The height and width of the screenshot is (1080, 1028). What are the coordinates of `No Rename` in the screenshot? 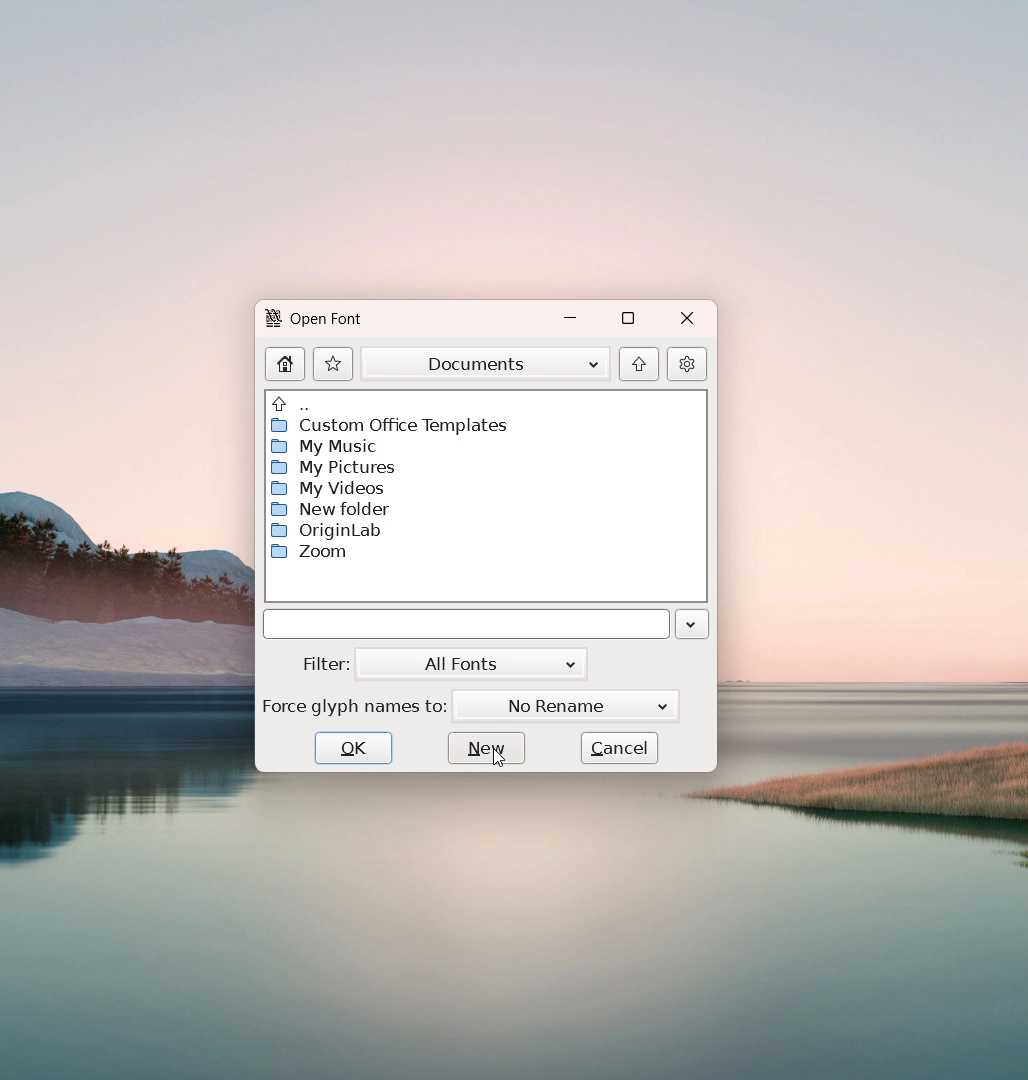 It's located at (566, 706).